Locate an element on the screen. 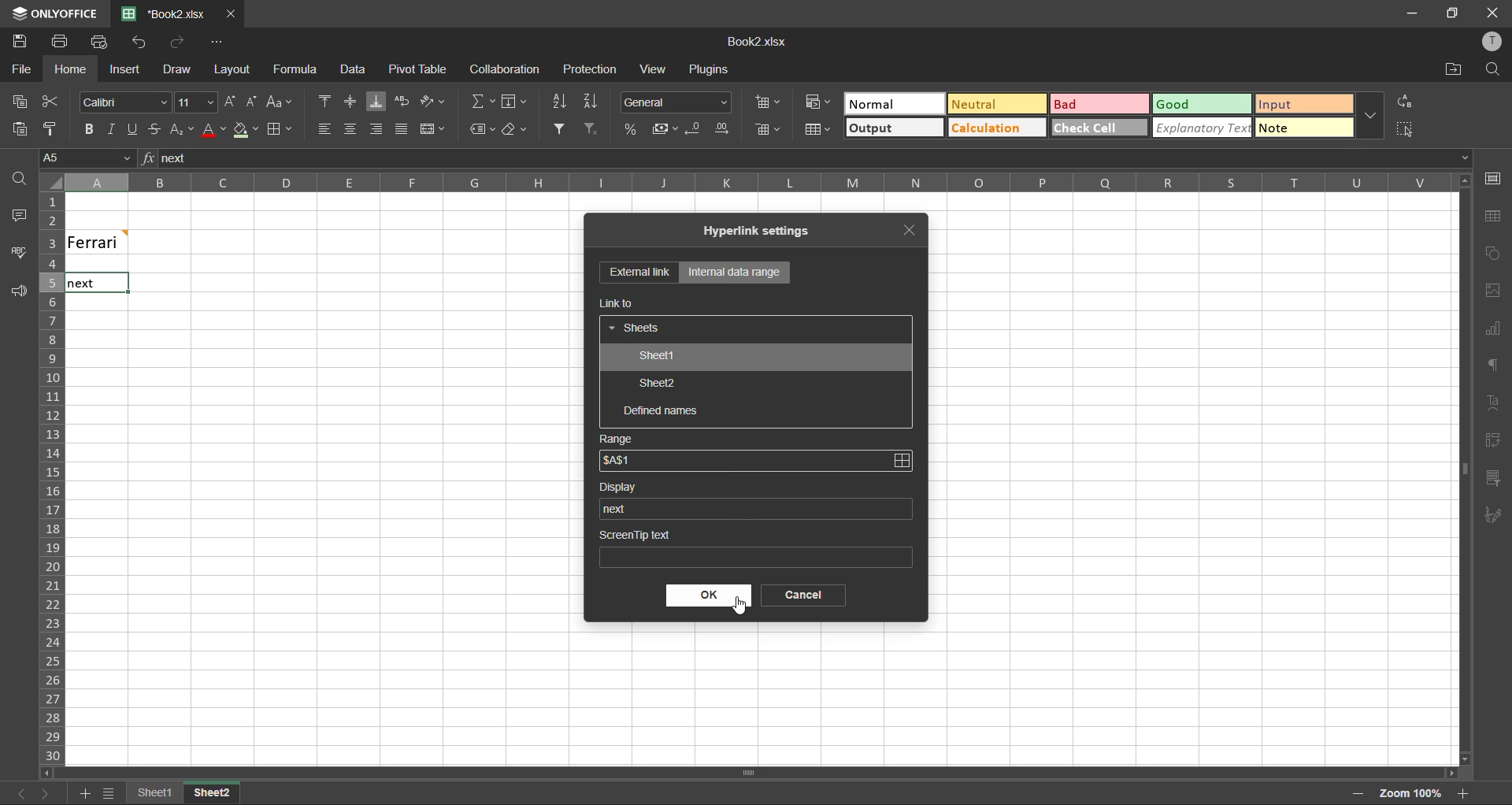 The height and width of the screenshot is (805, 1512). bad is located at coordinates (1086, 105).